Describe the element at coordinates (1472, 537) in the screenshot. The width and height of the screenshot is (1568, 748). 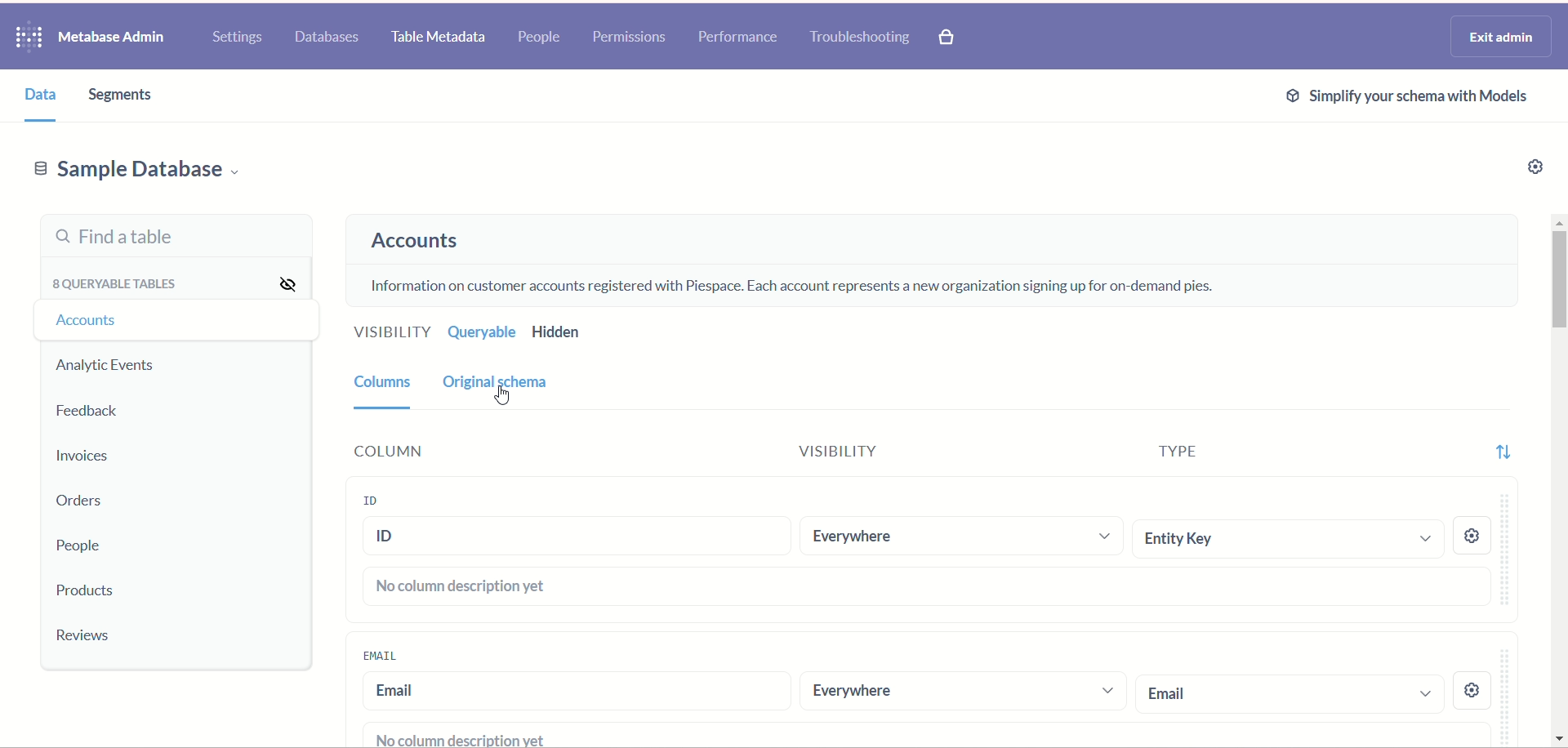
I see `settings` at that location.